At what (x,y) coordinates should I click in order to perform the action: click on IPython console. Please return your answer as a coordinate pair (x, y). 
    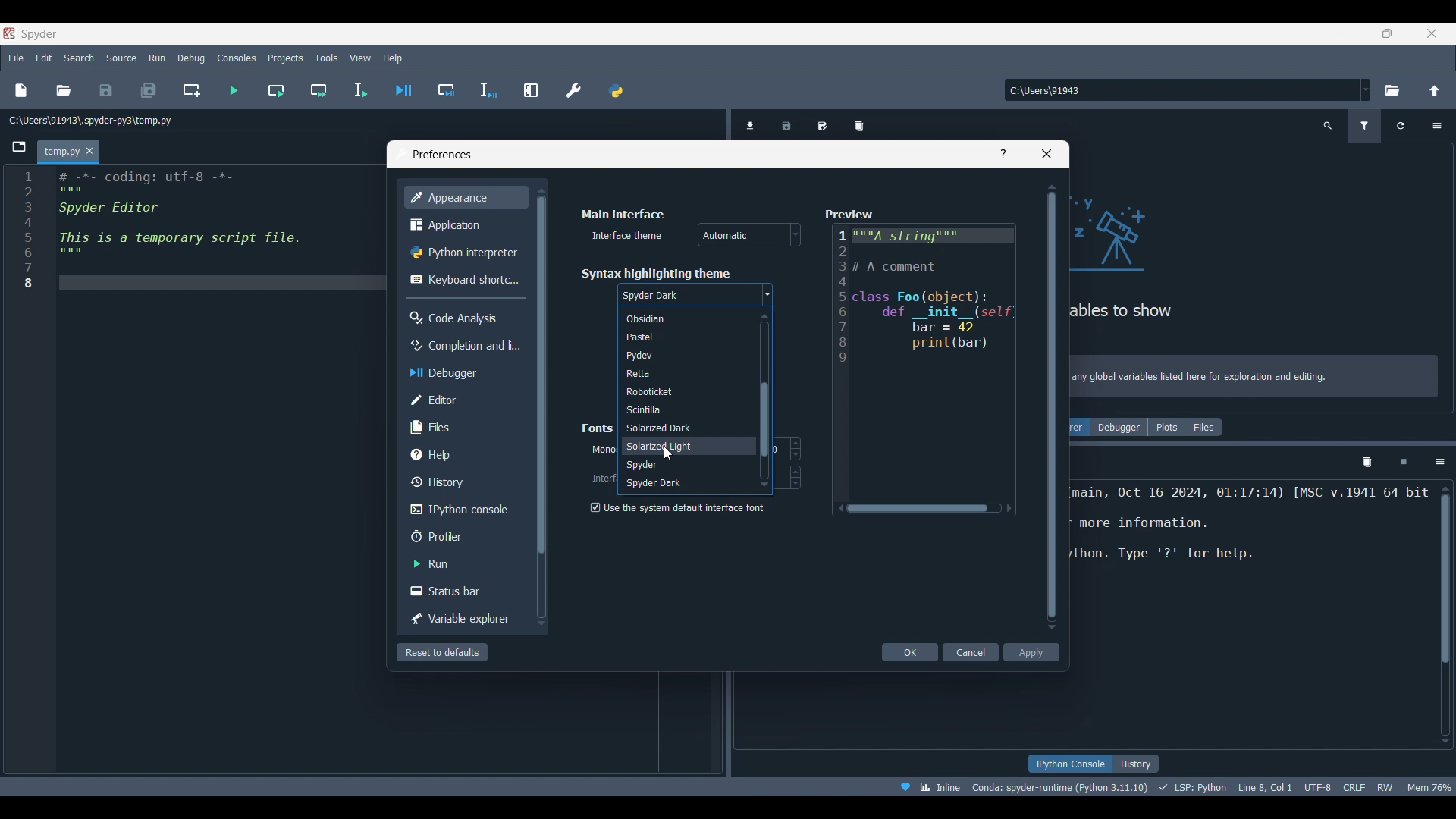
    Looking at the image, I should click on (1068, 764).